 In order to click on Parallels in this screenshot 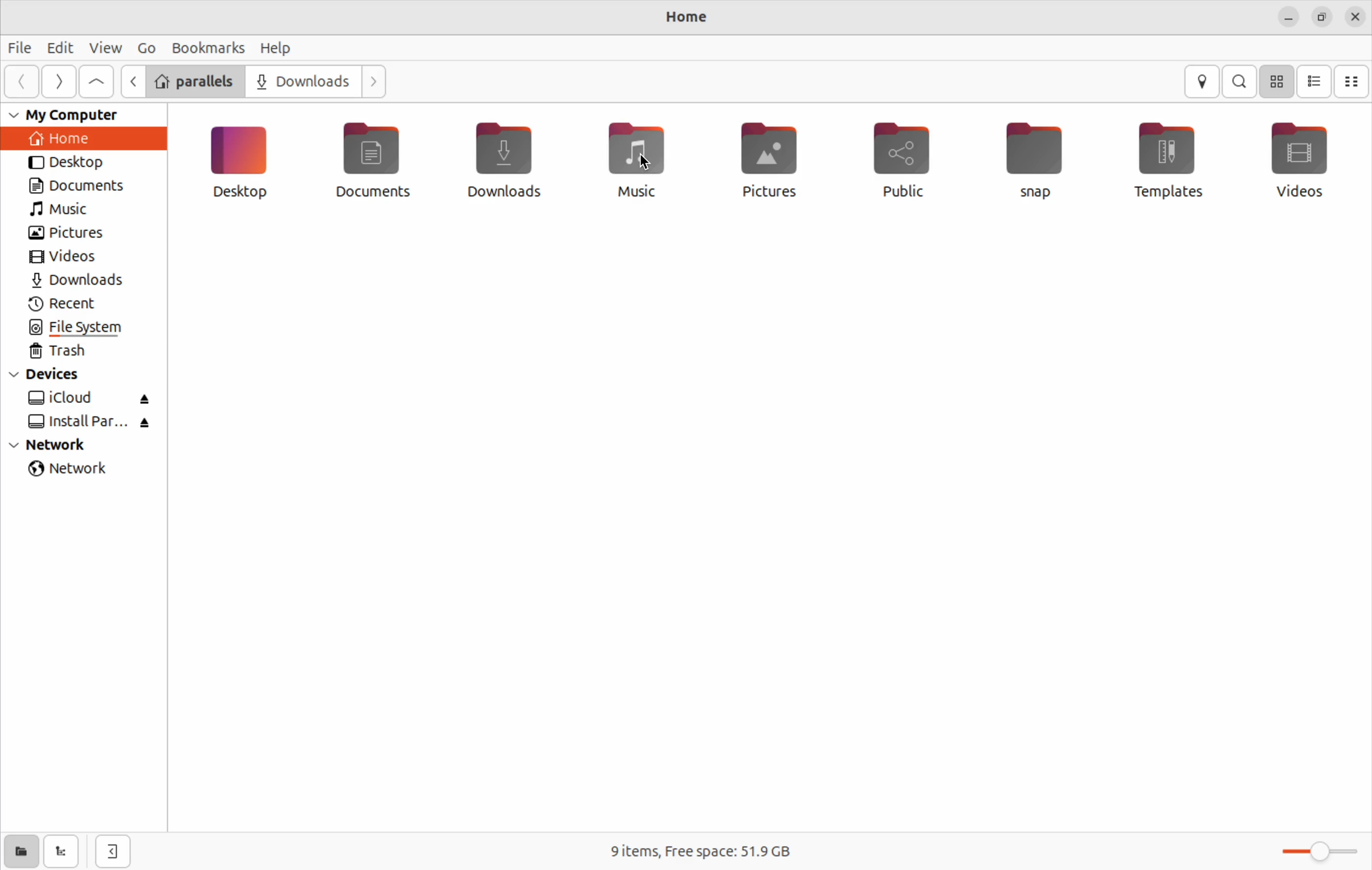, I will do `click(193, 81)`.